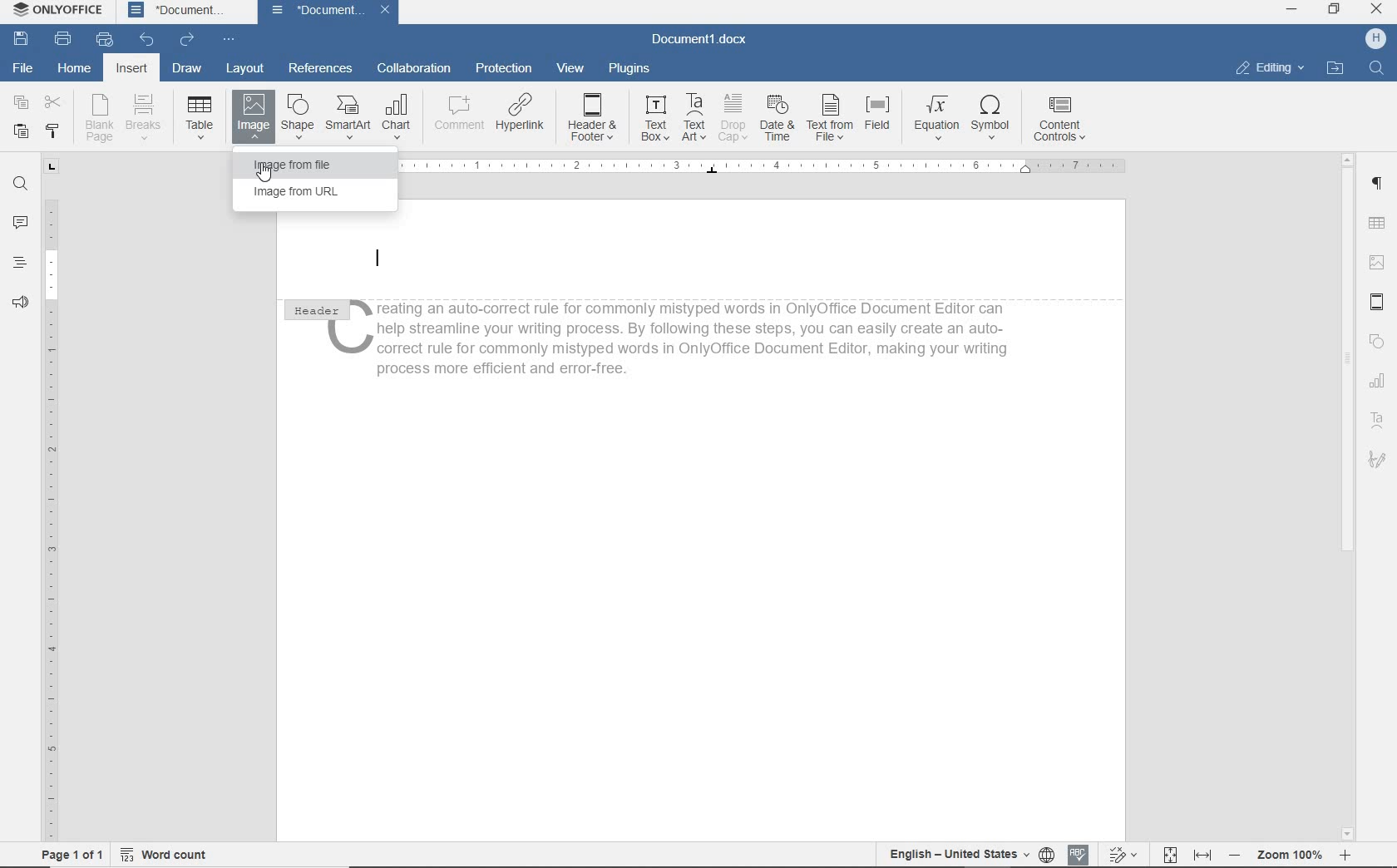  Describe the element at coordinates (1063, 120) in the screenshot. I see `CONTENT CONTROLS` at that location.